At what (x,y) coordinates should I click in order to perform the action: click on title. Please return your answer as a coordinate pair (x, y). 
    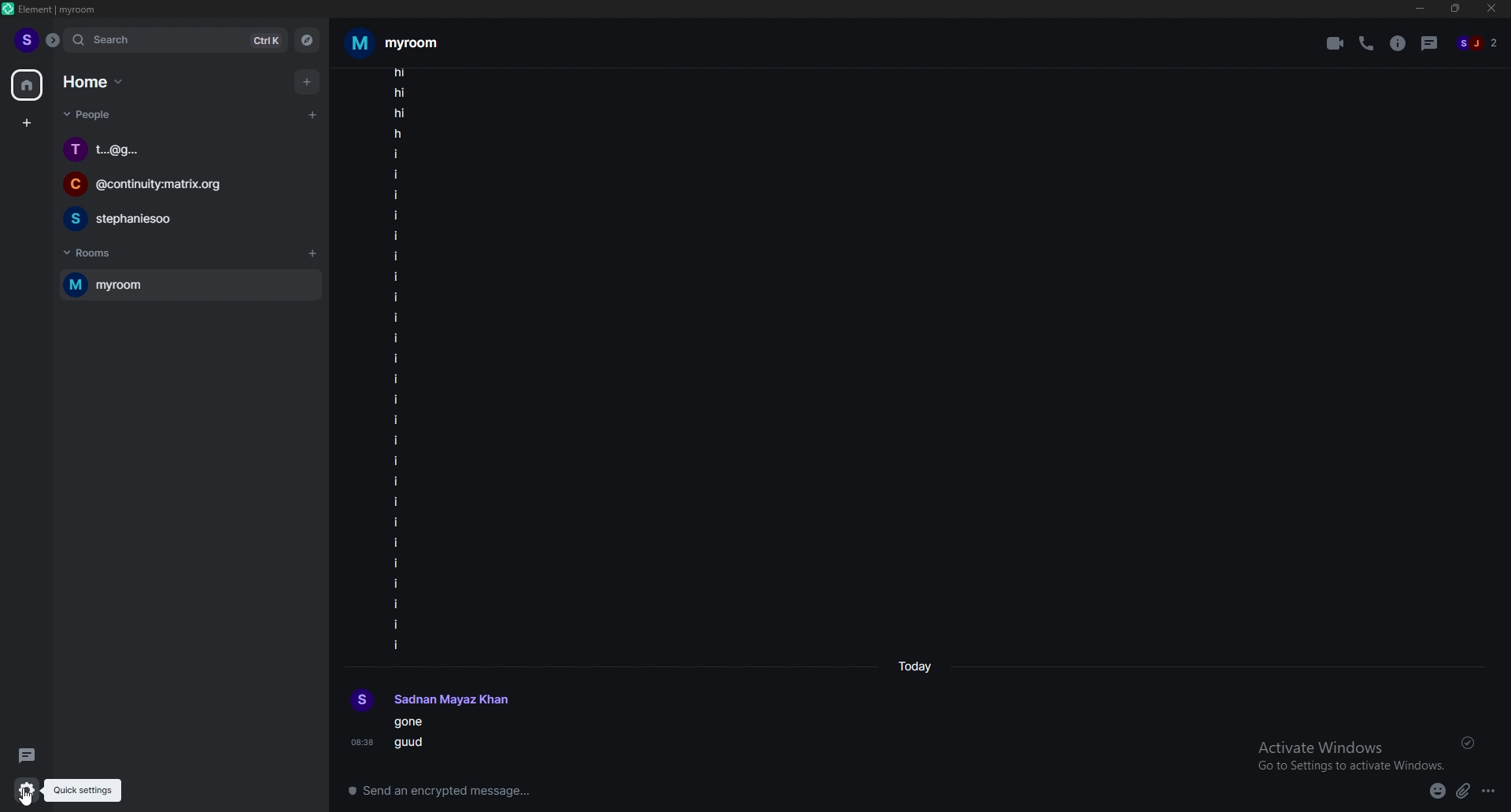
    Looking at the image, I should click on (55, 9).